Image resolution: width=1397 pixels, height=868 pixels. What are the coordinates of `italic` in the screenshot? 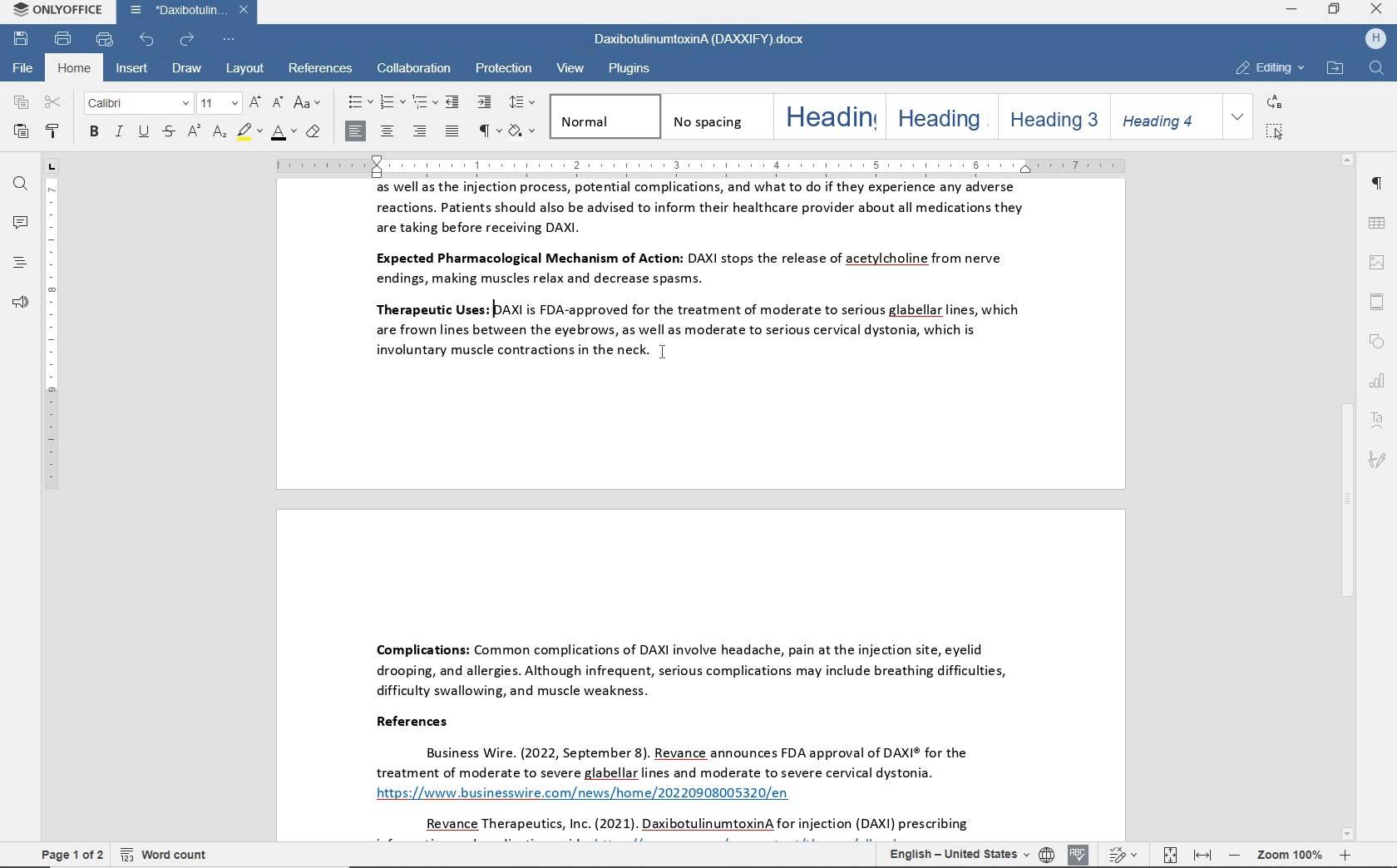 It's located at (119, 133).